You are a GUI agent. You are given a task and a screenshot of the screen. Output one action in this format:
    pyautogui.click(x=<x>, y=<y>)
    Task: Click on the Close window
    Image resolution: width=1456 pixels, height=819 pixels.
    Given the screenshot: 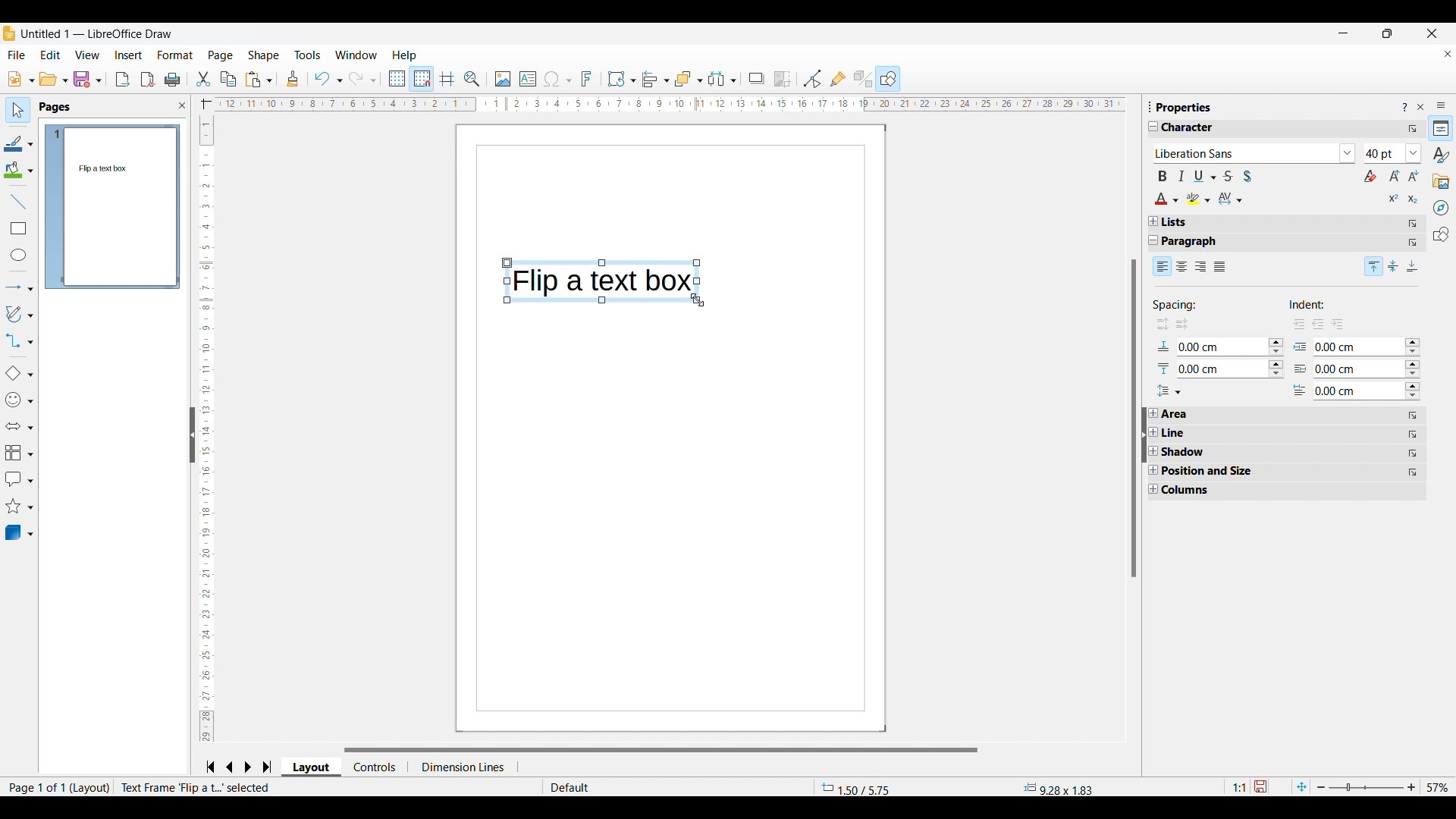 What is the action you would take?
    pyautogui.click(x=1432, y=33)
    